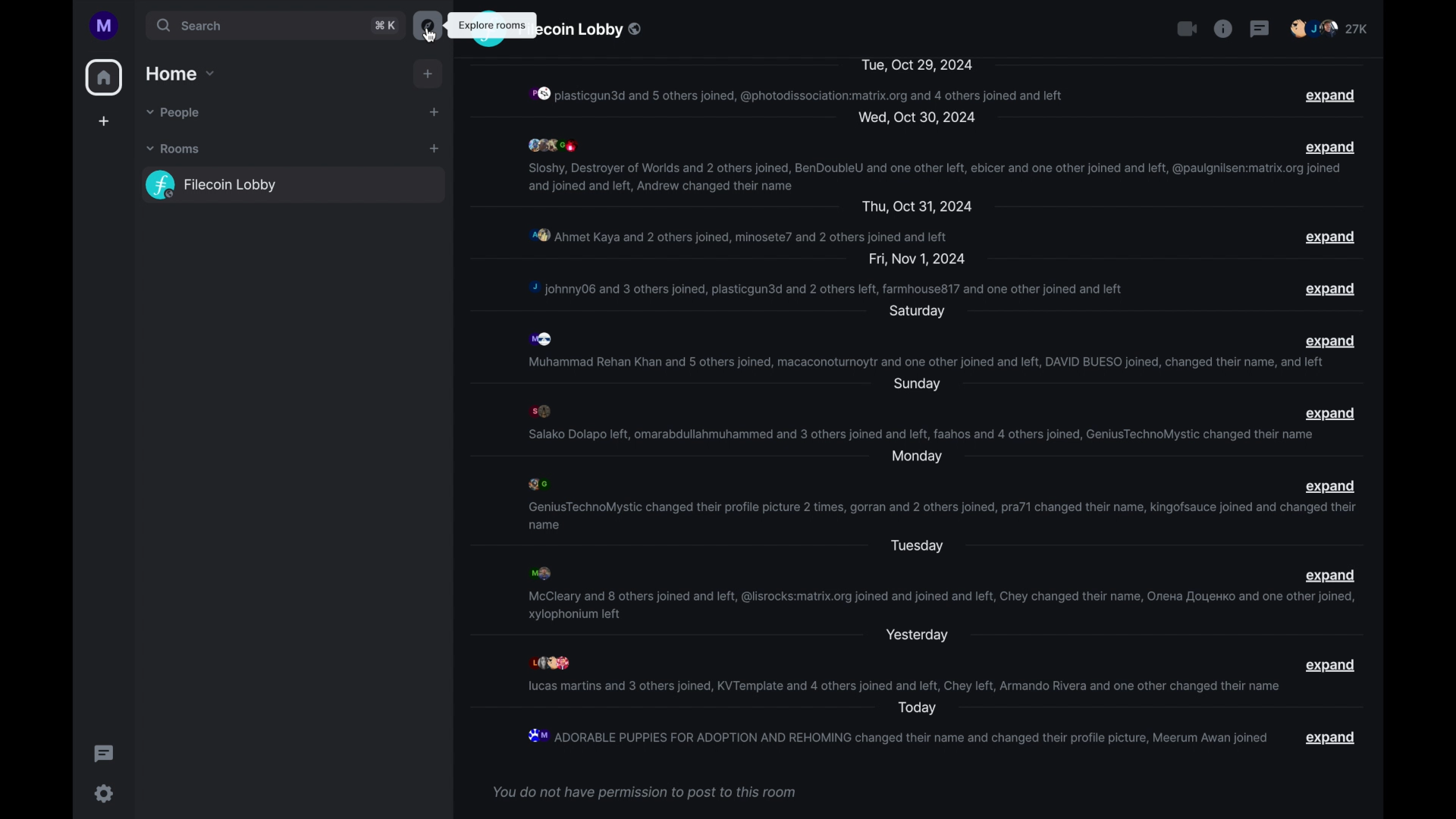  What do you see at coordinates (917, 708) in the screenshot?
I see `today` at bounding box center [917, 708].